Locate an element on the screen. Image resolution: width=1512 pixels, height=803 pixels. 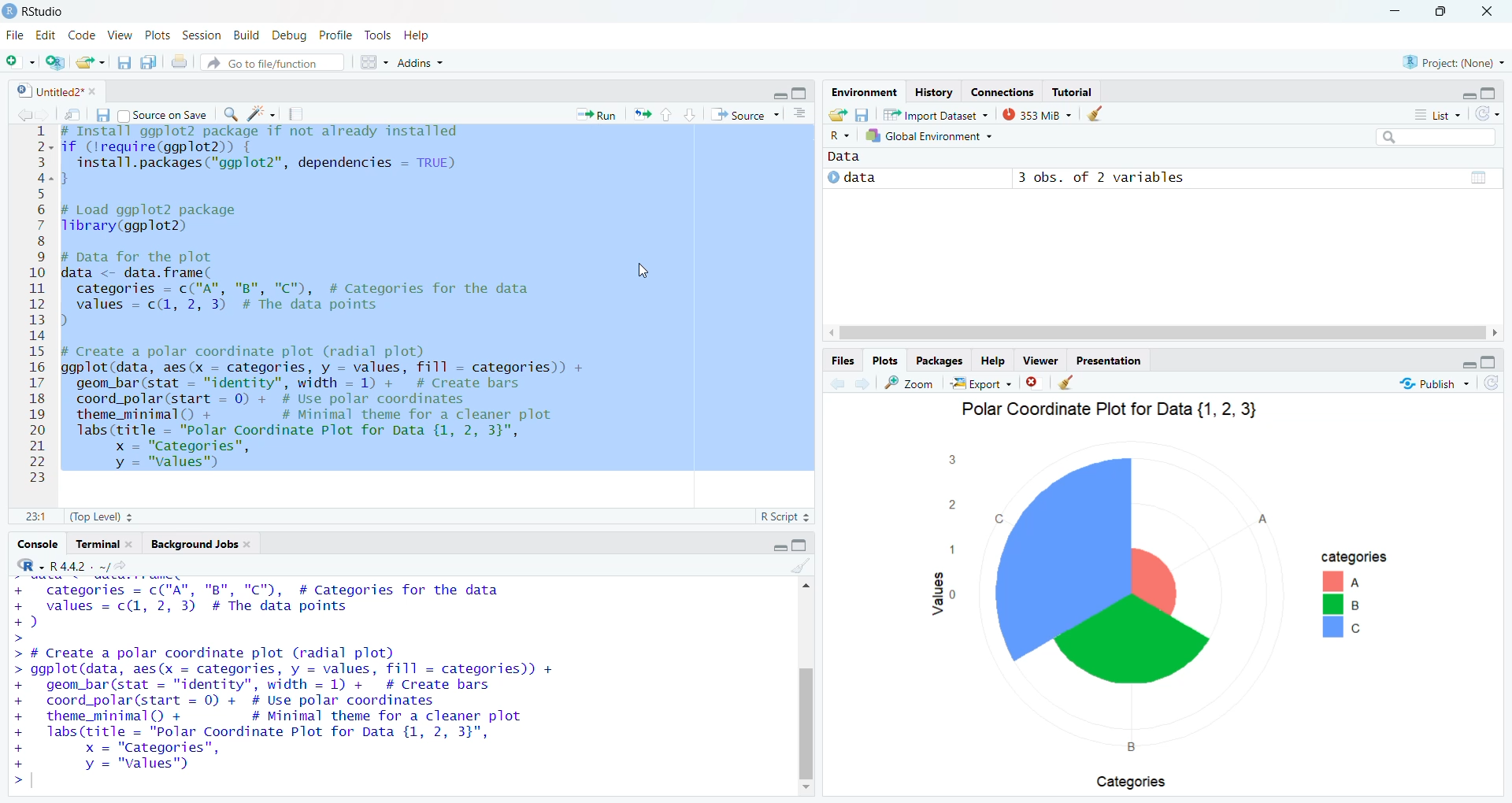
1:1 is located at coordinates (32, 516).